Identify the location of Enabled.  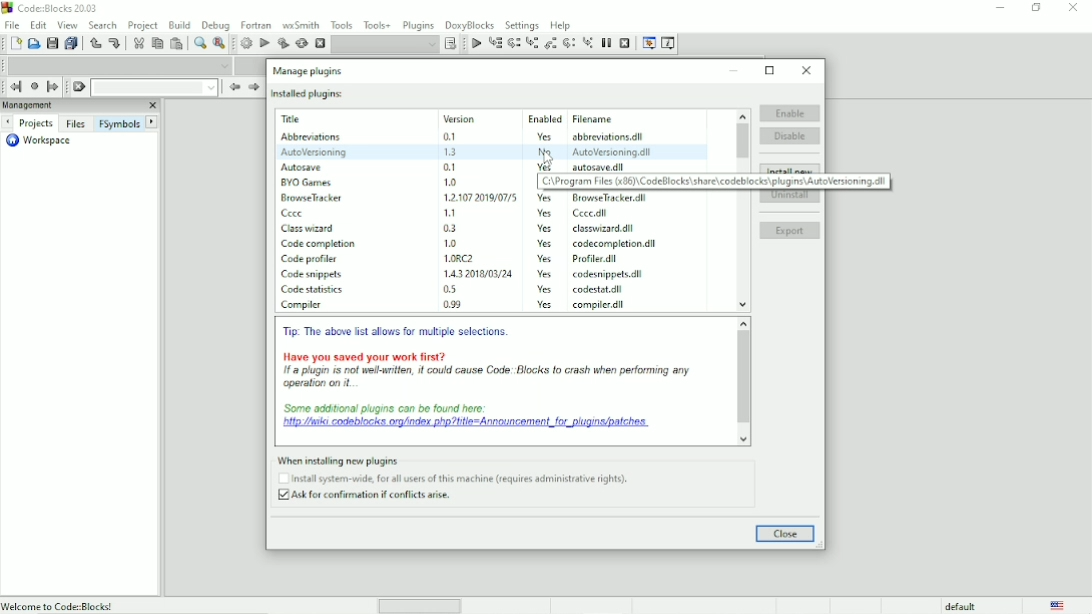
(543, 117).